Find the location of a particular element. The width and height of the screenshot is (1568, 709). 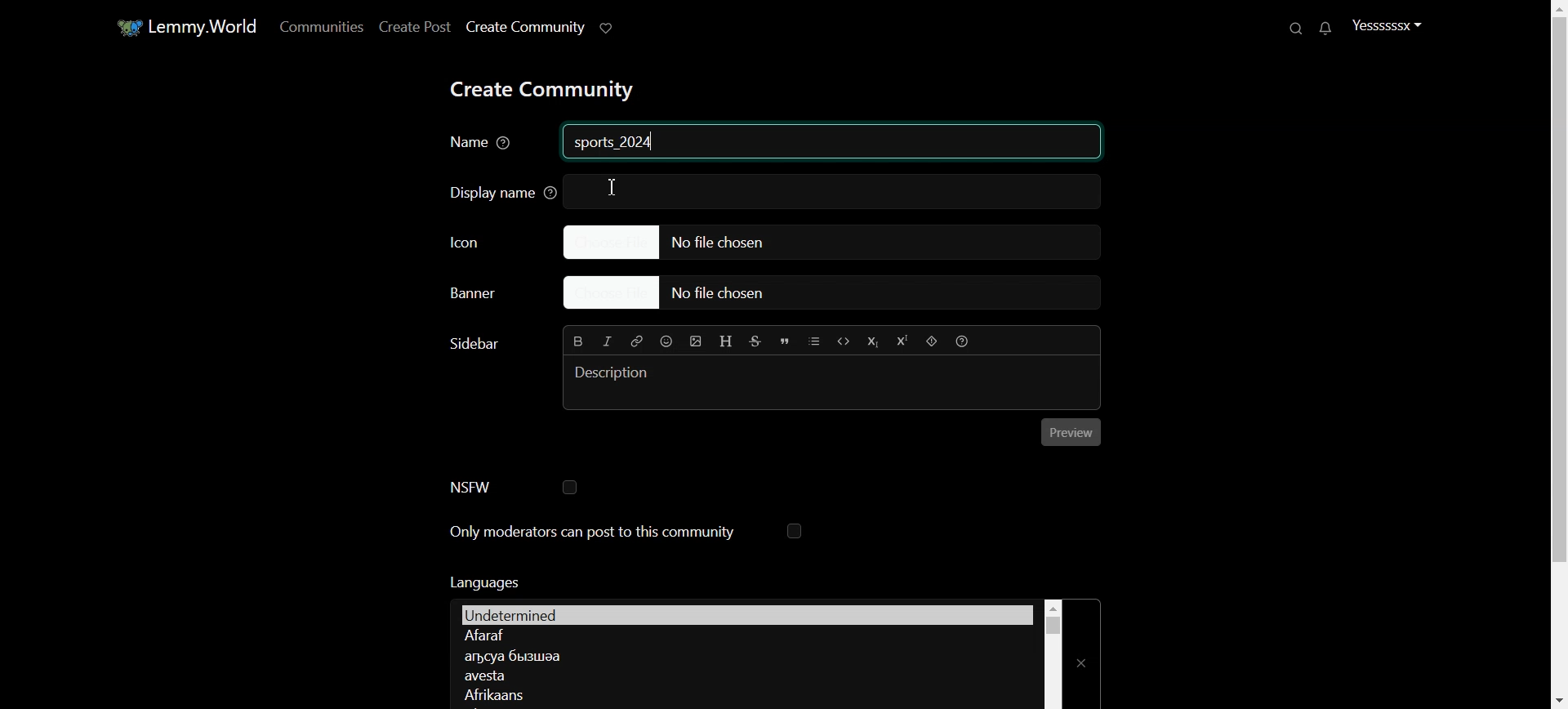

Text is located at coordinates (616, 144).